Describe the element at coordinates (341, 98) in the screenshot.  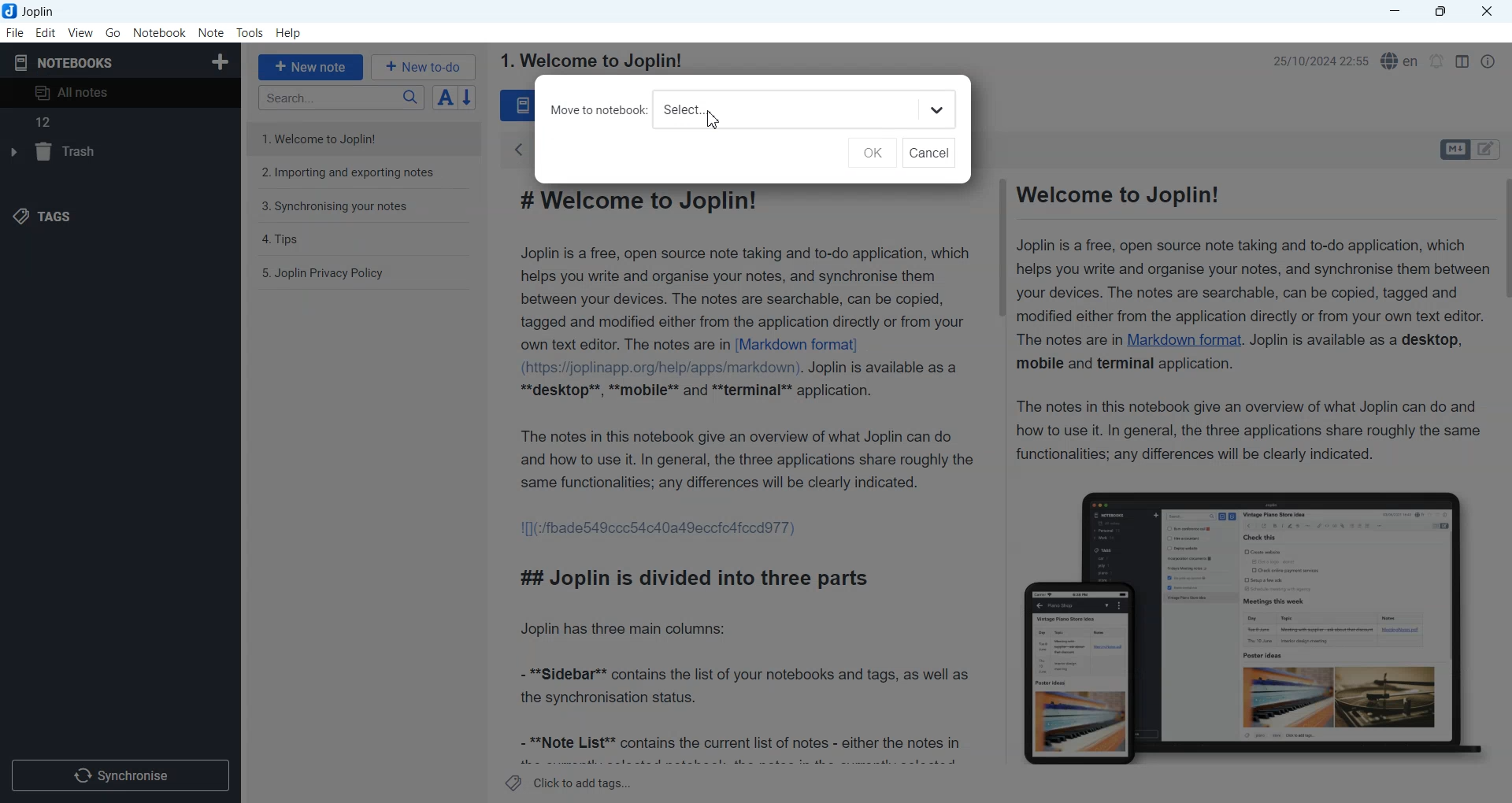
I see `Search bar` at that location.